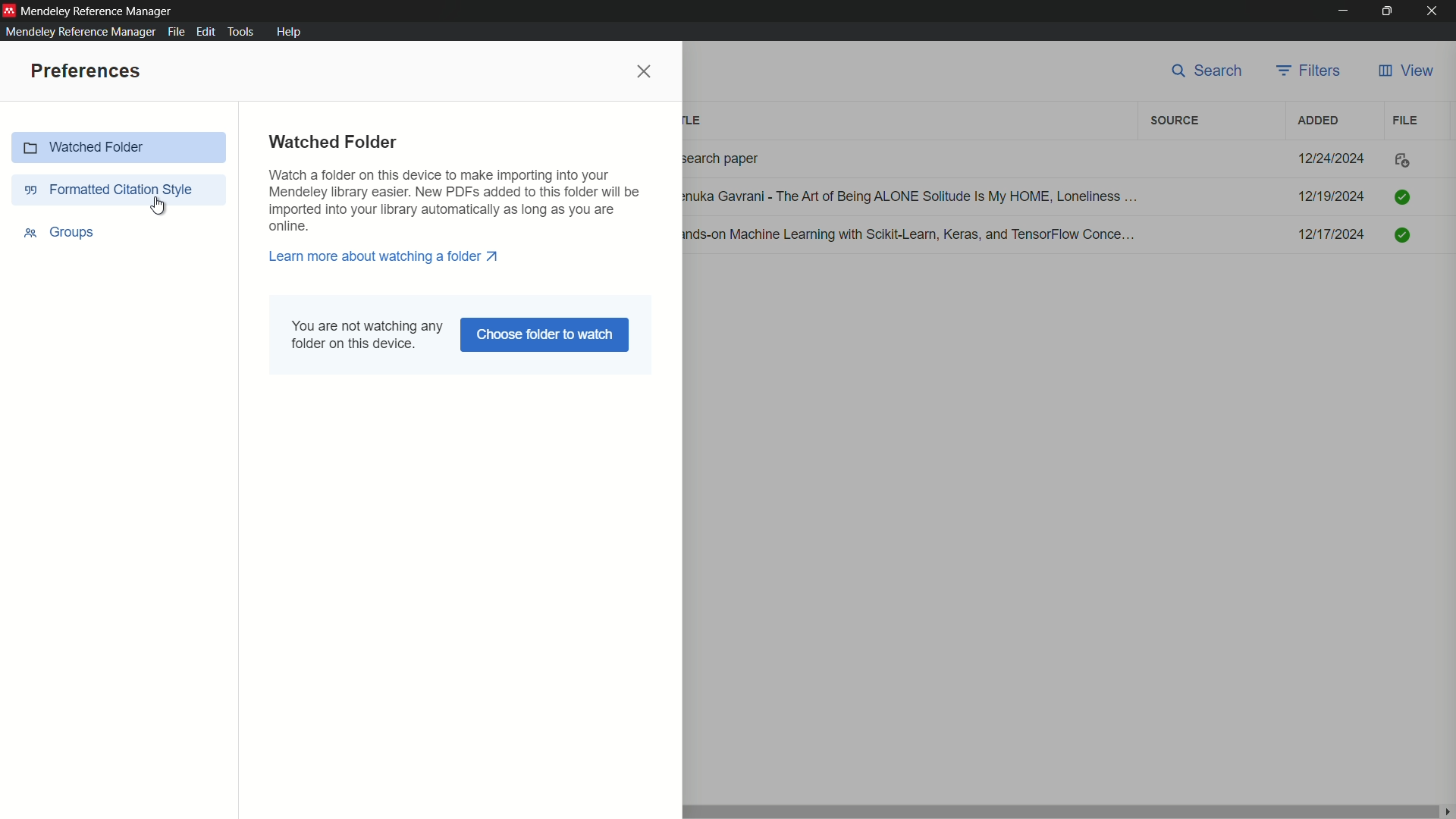  What do you see at coordinates (1053, 236) in the screenshot?
I see `details` at bounding box center [1053, 236].